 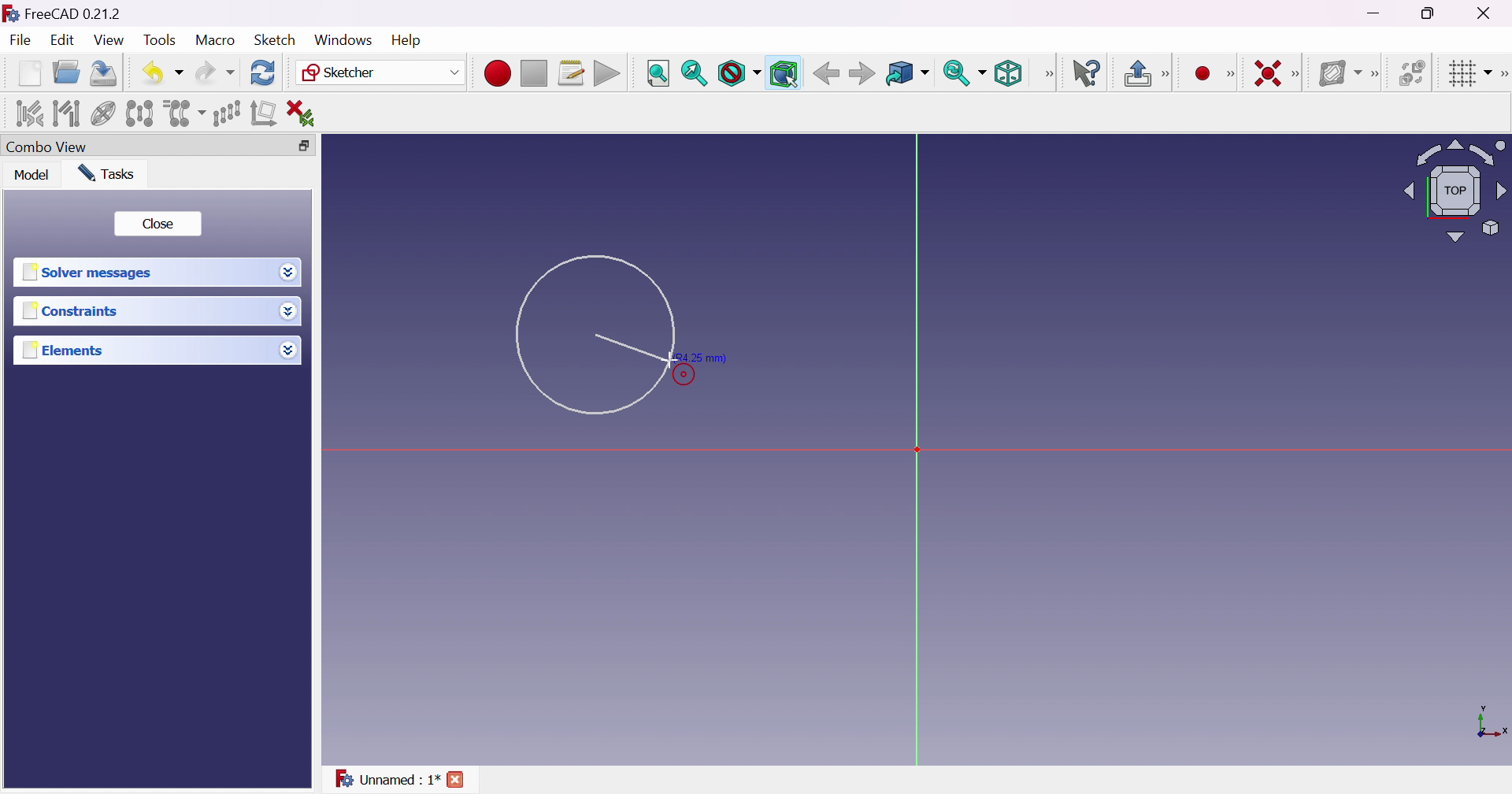 I want to click on Leave sketch, so click(x=1136, y=72).